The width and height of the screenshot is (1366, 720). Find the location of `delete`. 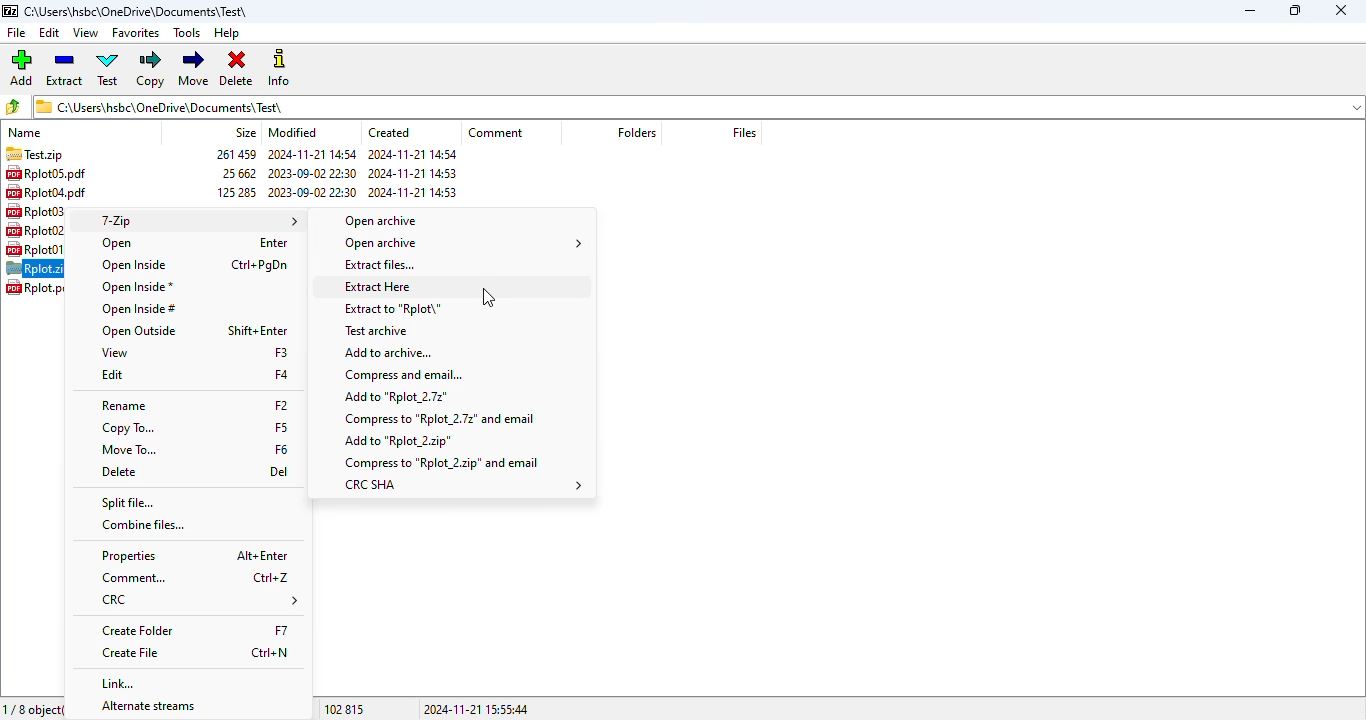

delete is located at coordinates (237, 68).